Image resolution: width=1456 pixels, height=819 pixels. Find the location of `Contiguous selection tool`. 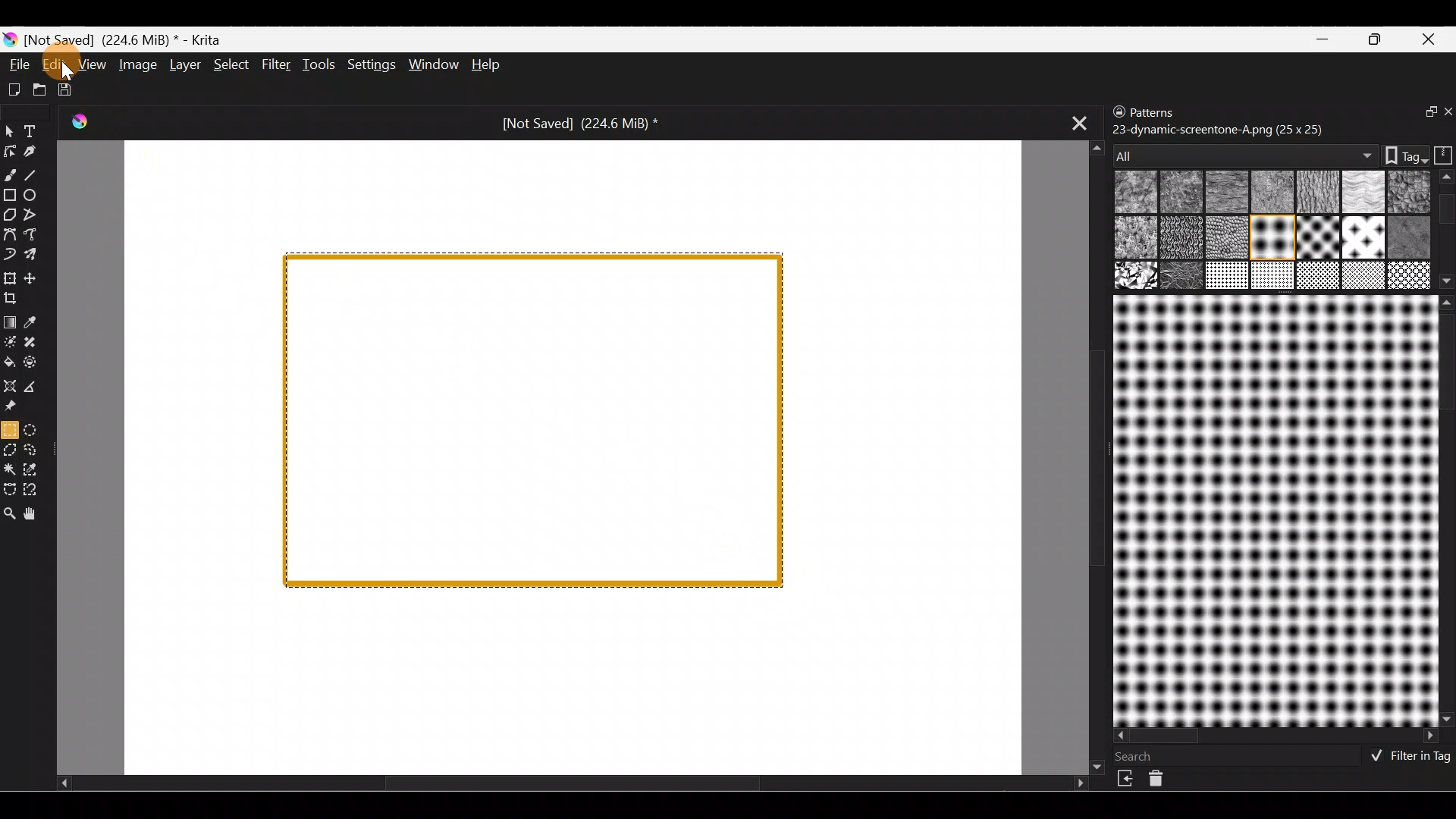

Contiguous selection tool is located at coordinates (11, 470).